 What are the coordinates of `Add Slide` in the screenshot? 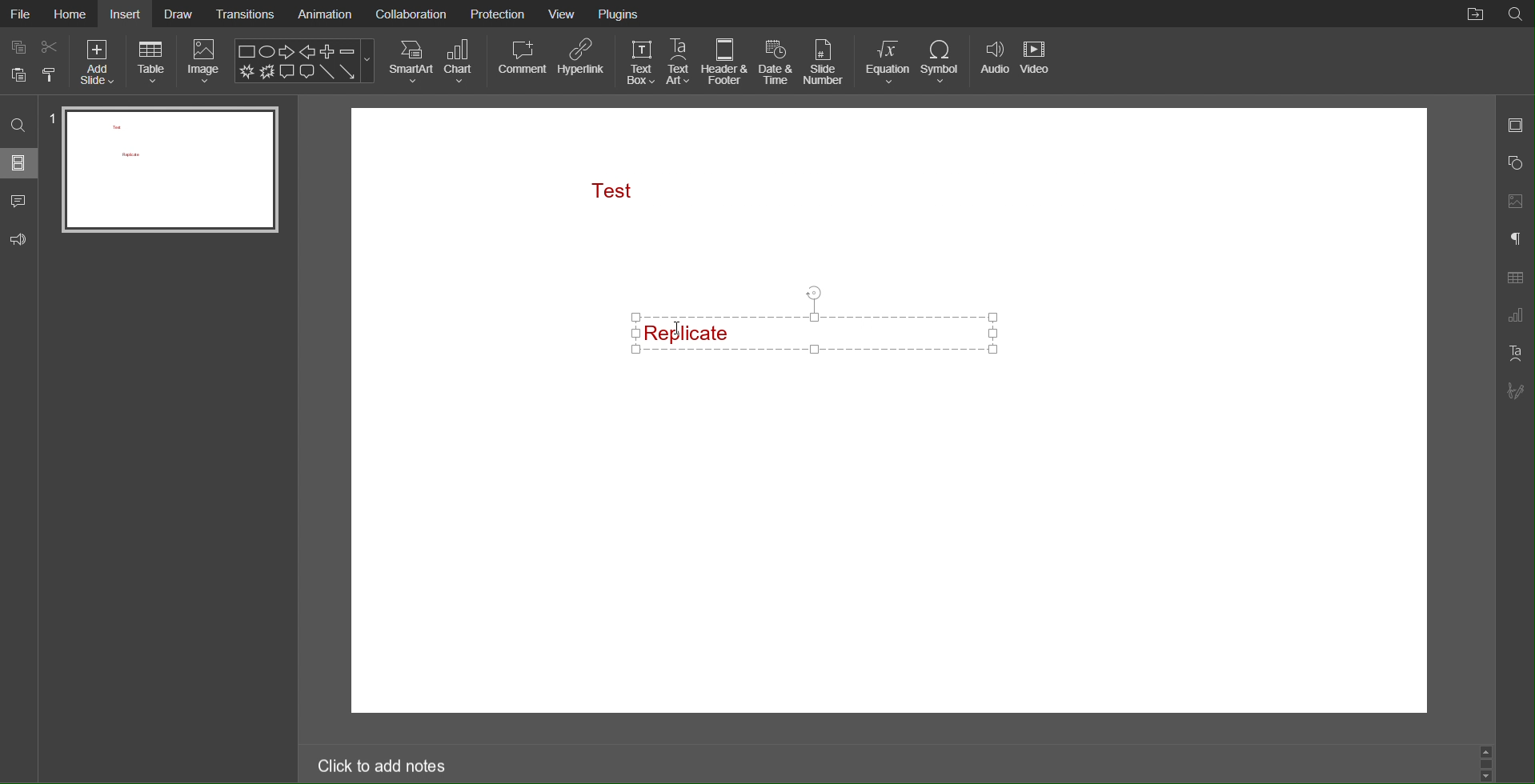 It's located at (98, 62).